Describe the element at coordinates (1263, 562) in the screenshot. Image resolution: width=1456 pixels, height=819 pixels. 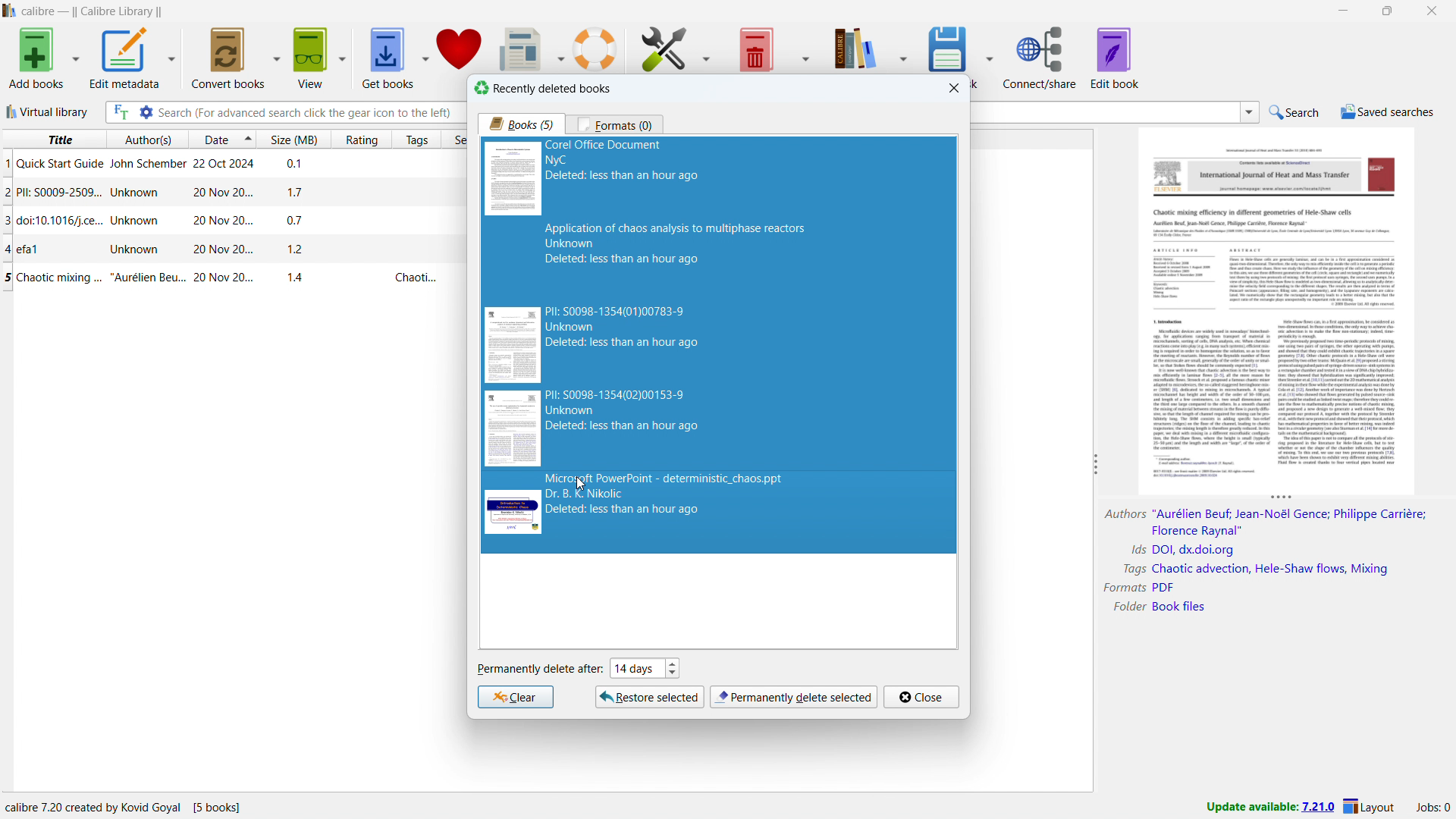
I see `book details` at that location.